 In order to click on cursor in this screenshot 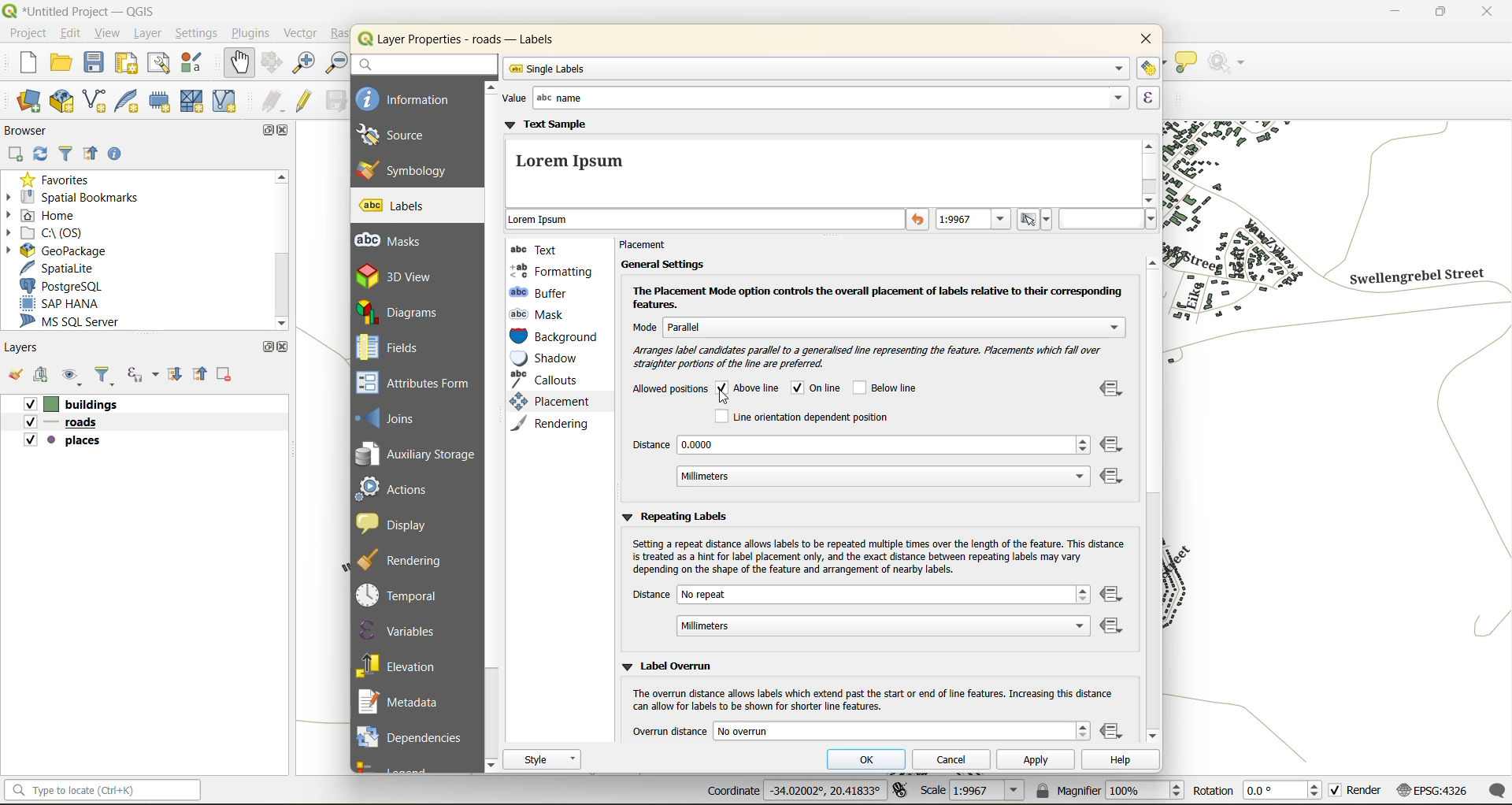, I will do `click(725, 398)`.